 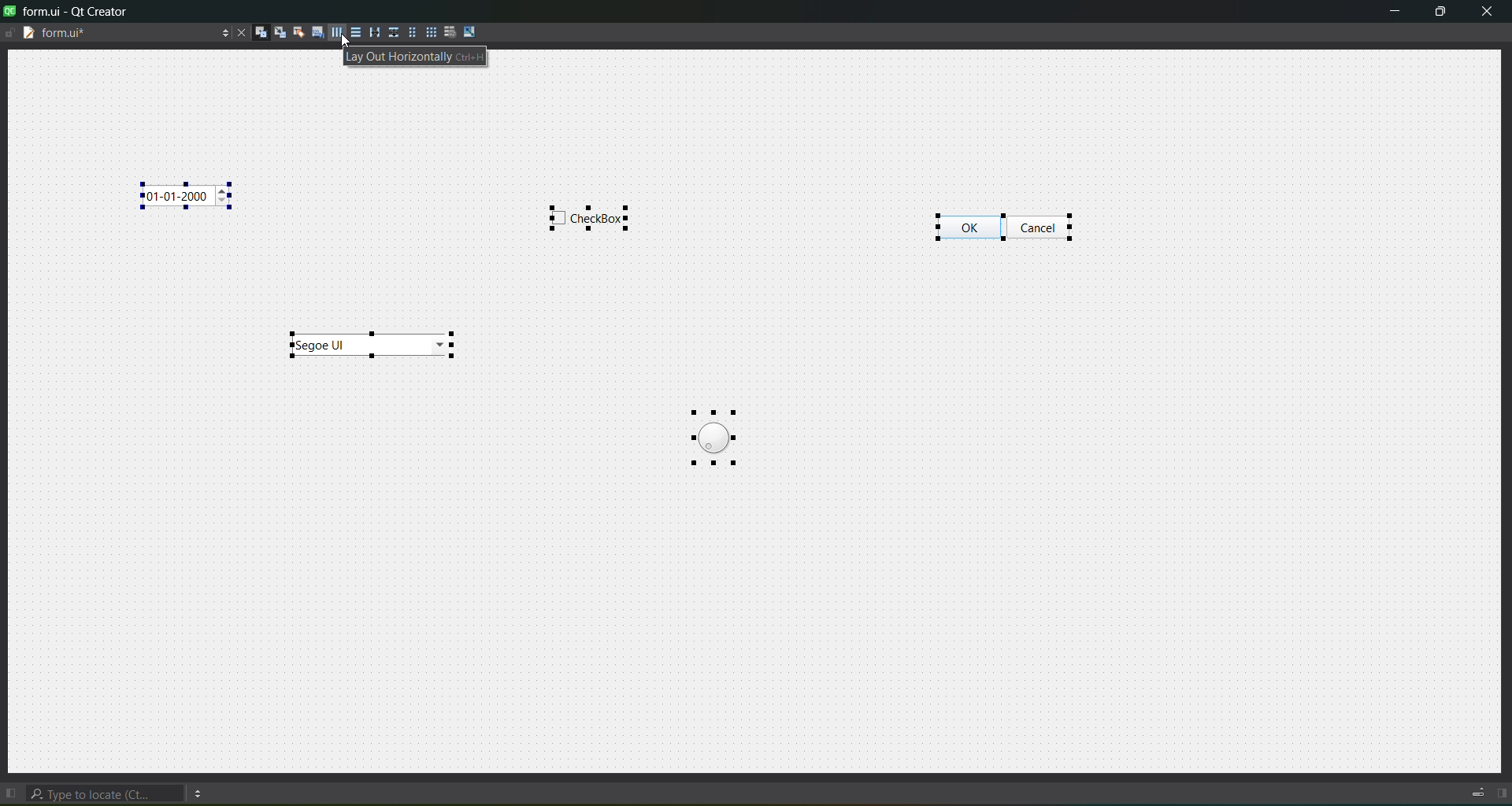 What do you see at coordinates (12, 35) in the screenshot?
I see `writable` at bounding box center [12, 35].